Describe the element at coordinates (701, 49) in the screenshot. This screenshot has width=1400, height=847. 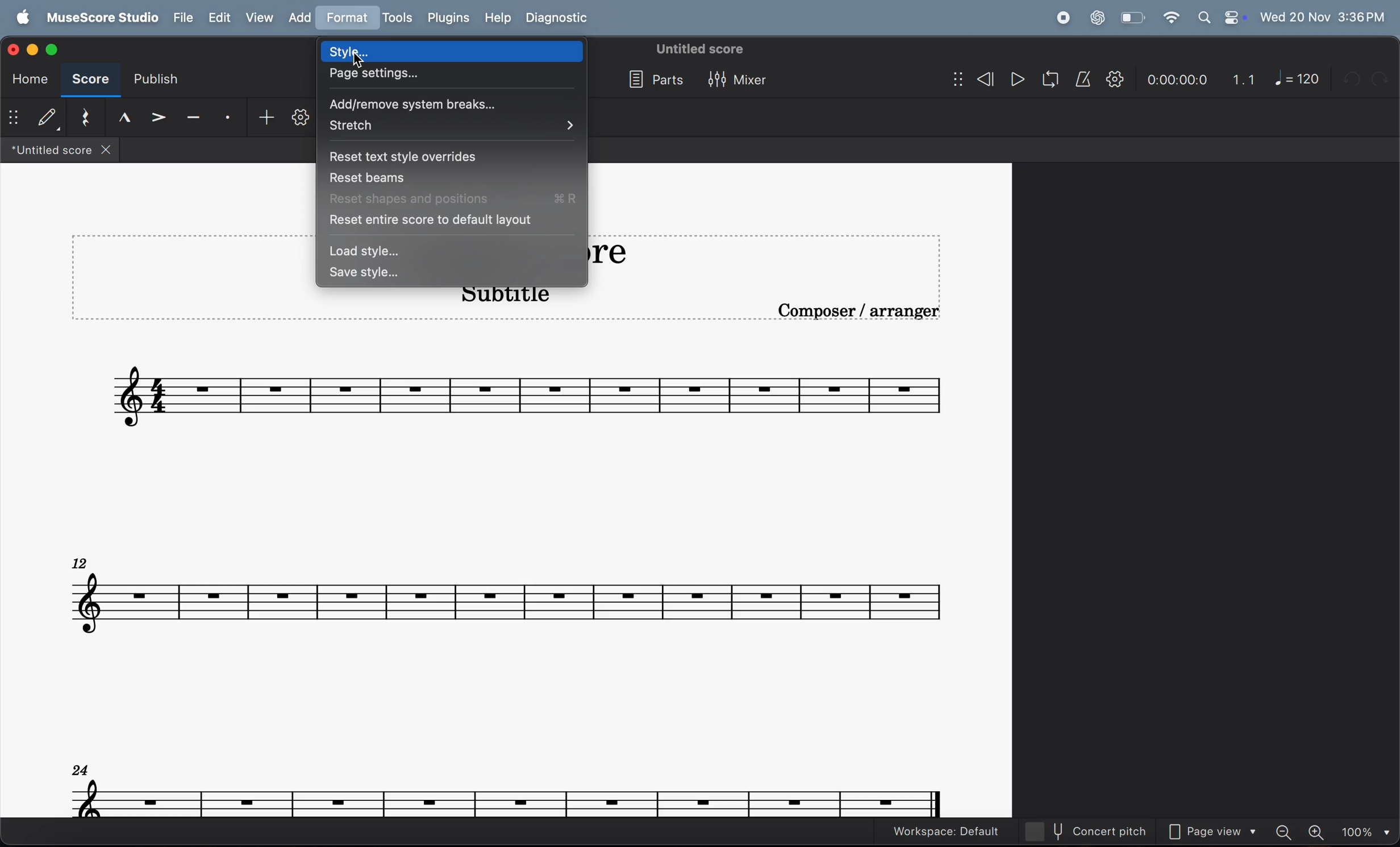
I see `untitled score` at that location.